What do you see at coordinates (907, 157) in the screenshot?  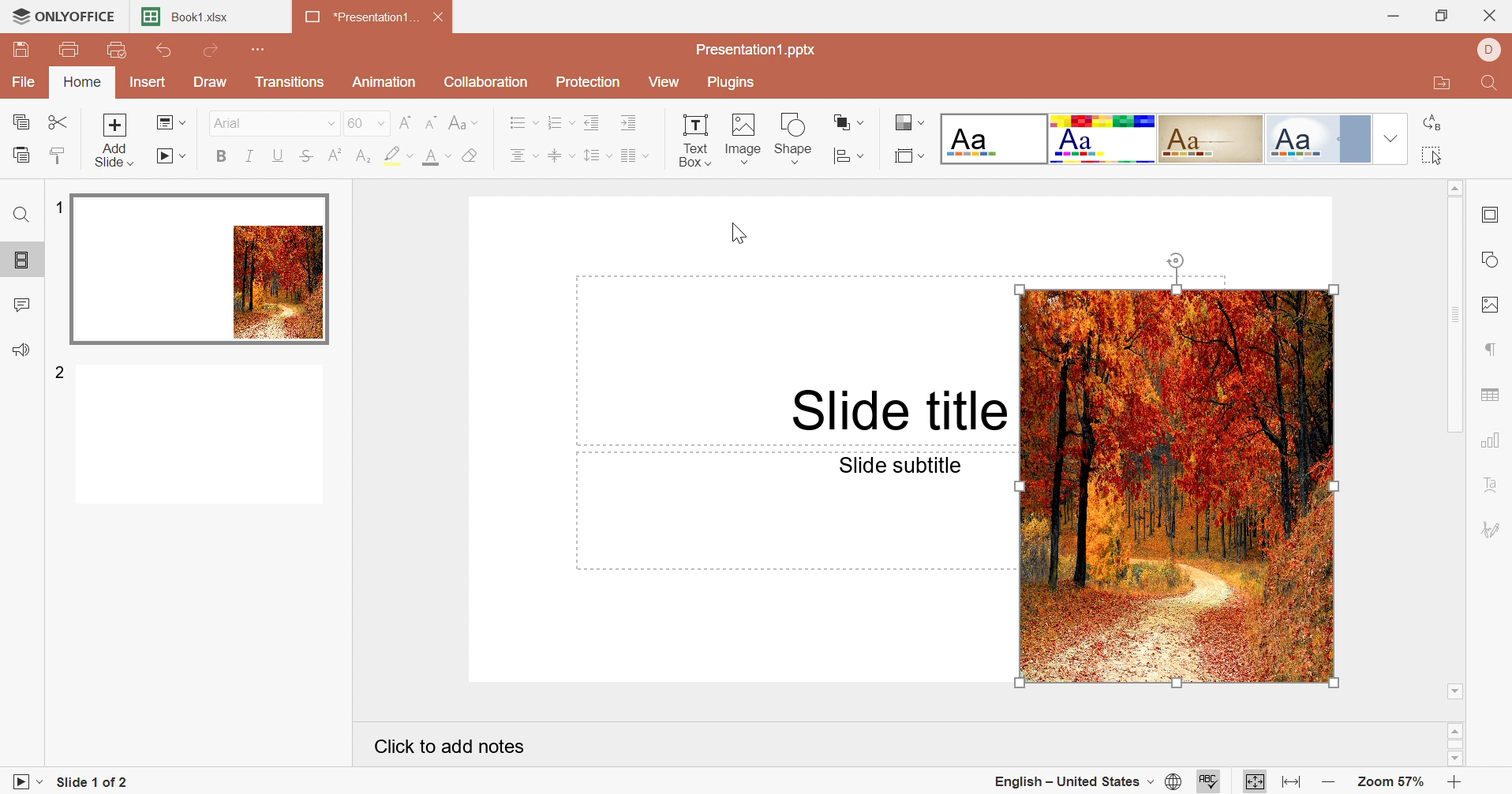 I see `Select slide size` at bounding box center [907, 157].